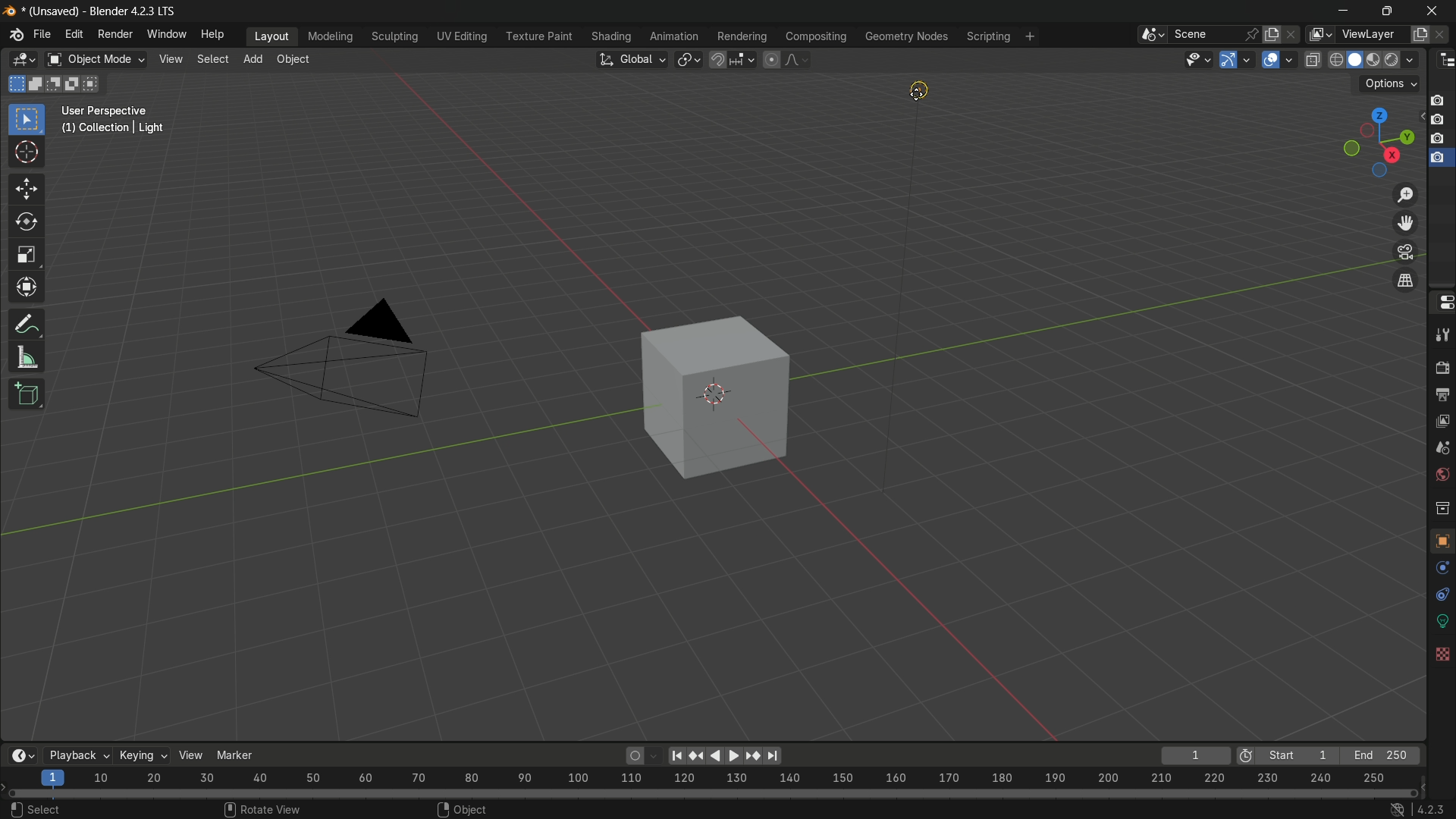  Describe the element at coordinates (1382, 755) in the screenshot. I see `end` at that location.